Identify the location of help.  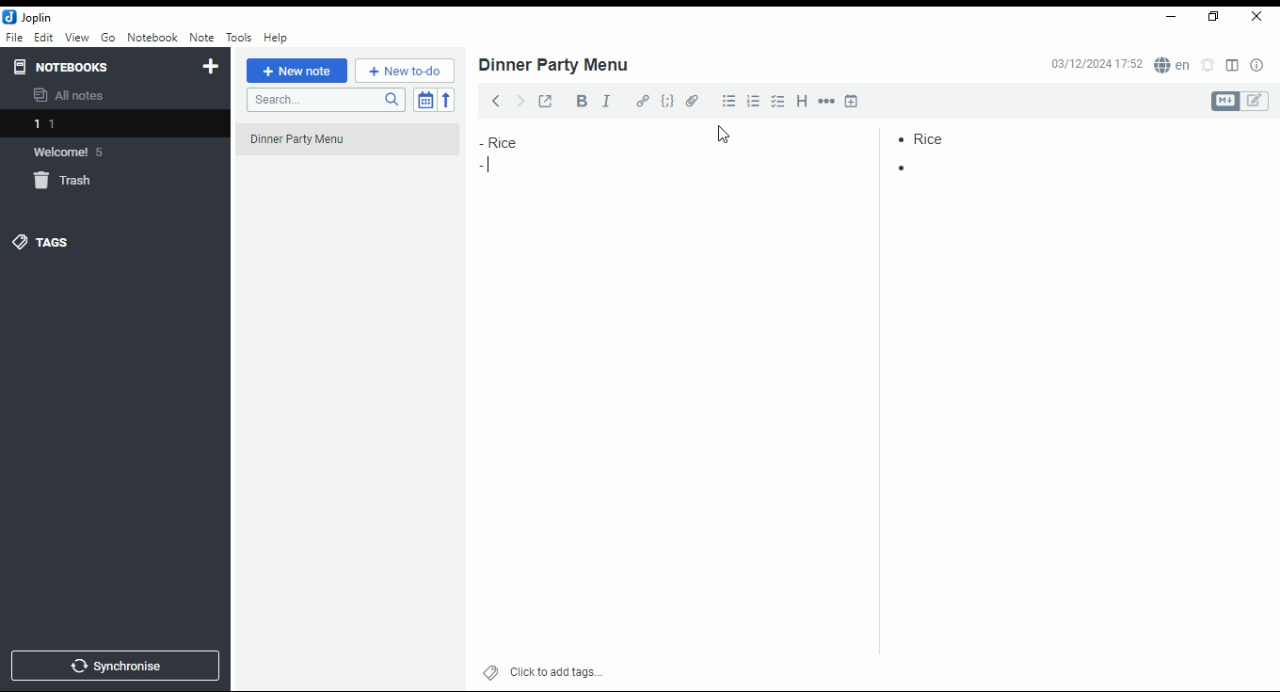
(276, 38).